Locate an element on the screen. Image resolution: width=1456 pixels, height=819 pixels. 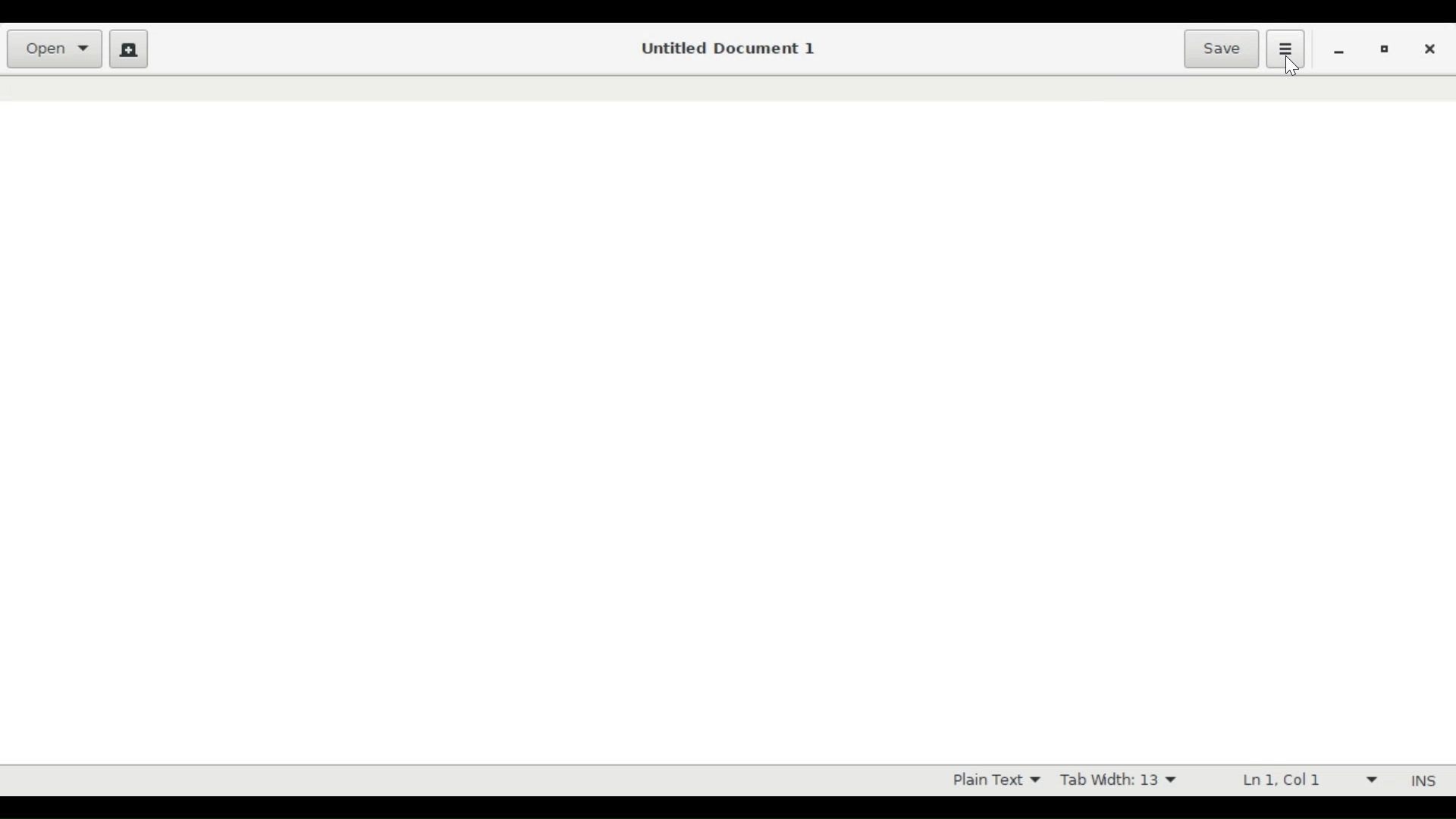
Untitled Document 1 is located at coordinates (731, 49).